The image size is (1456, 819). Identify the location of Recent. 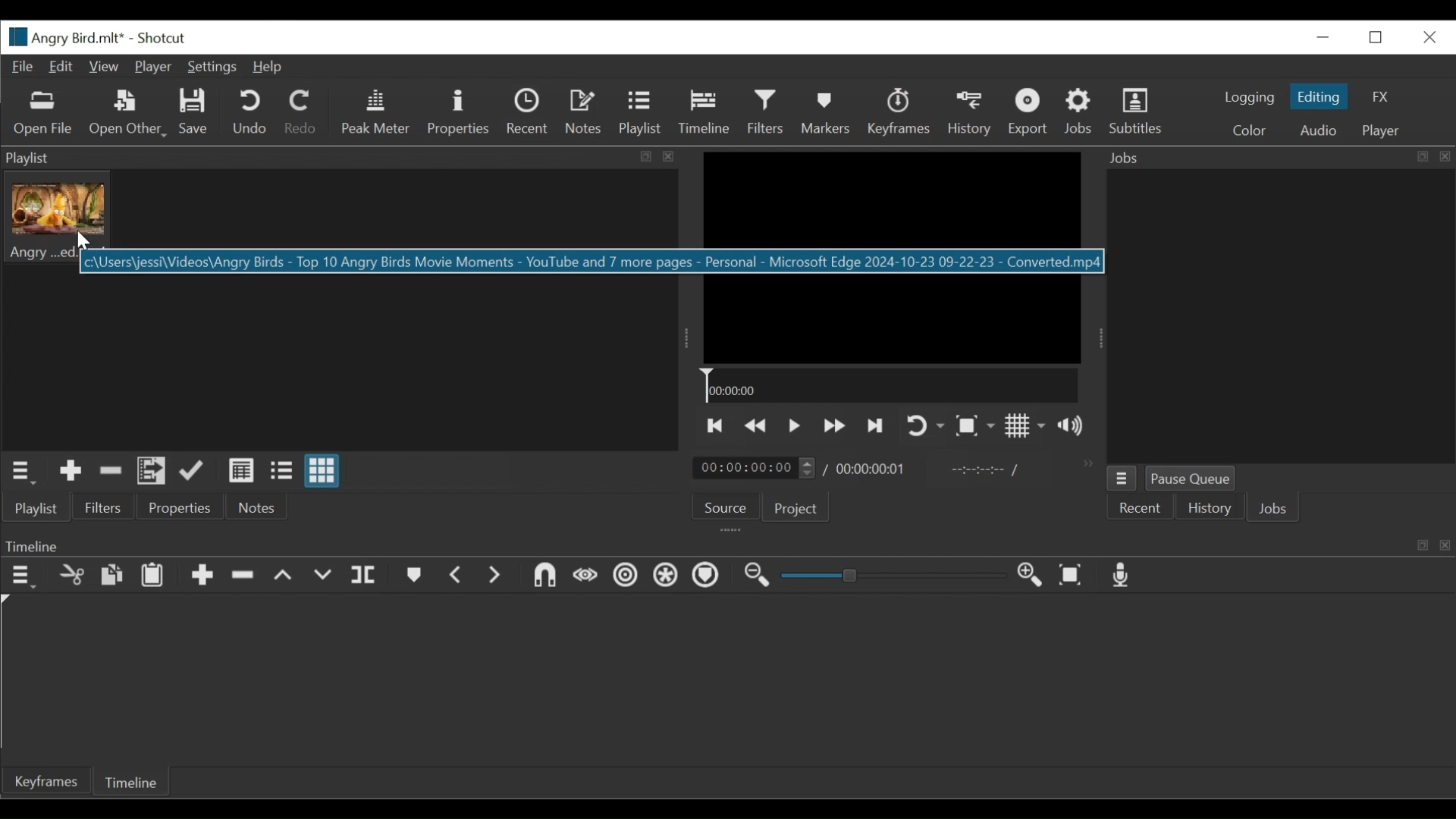
(1139, 508).